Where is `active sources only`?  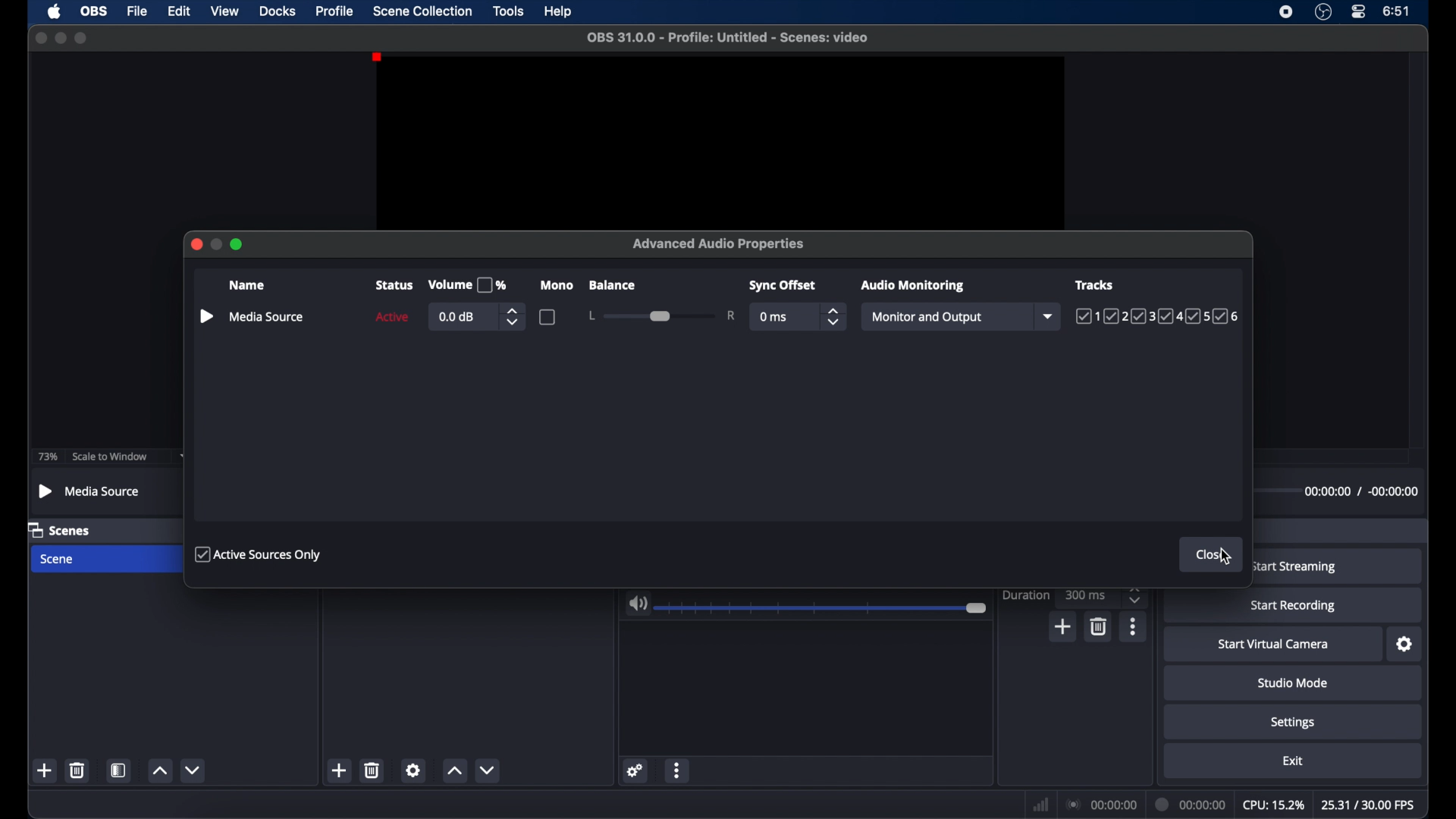
active sources only is located at coordinates (258, 554).